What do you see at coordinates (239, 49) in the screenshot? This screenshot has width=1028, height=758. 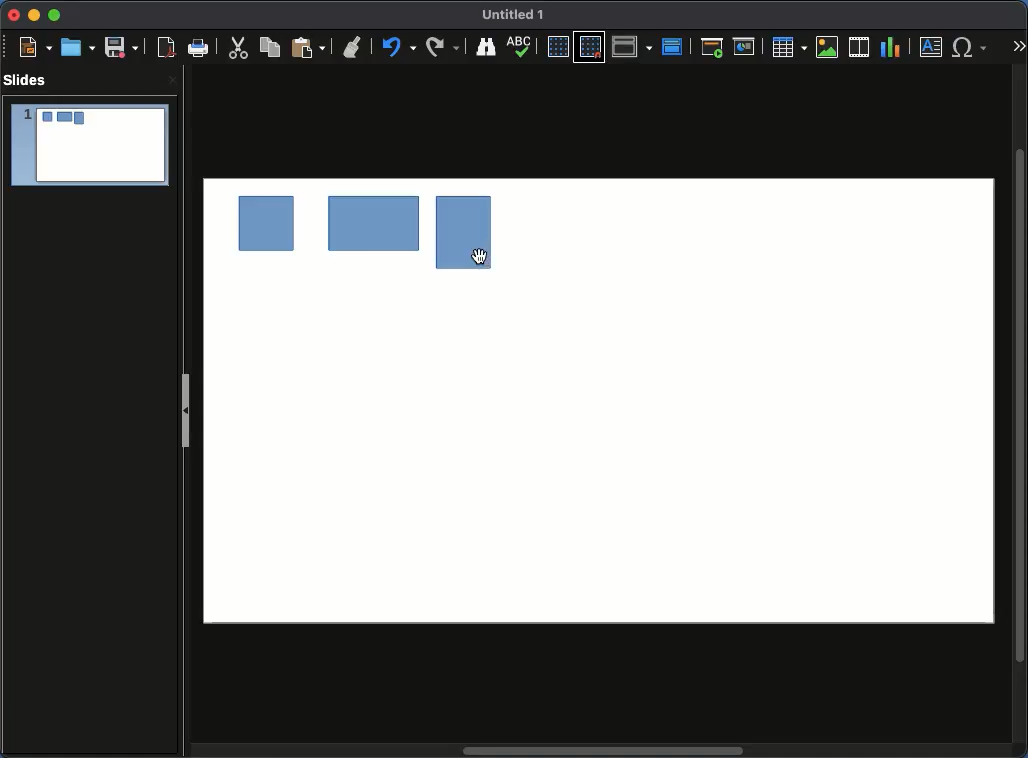 I see `Cut` at bounding box center [239, 49].